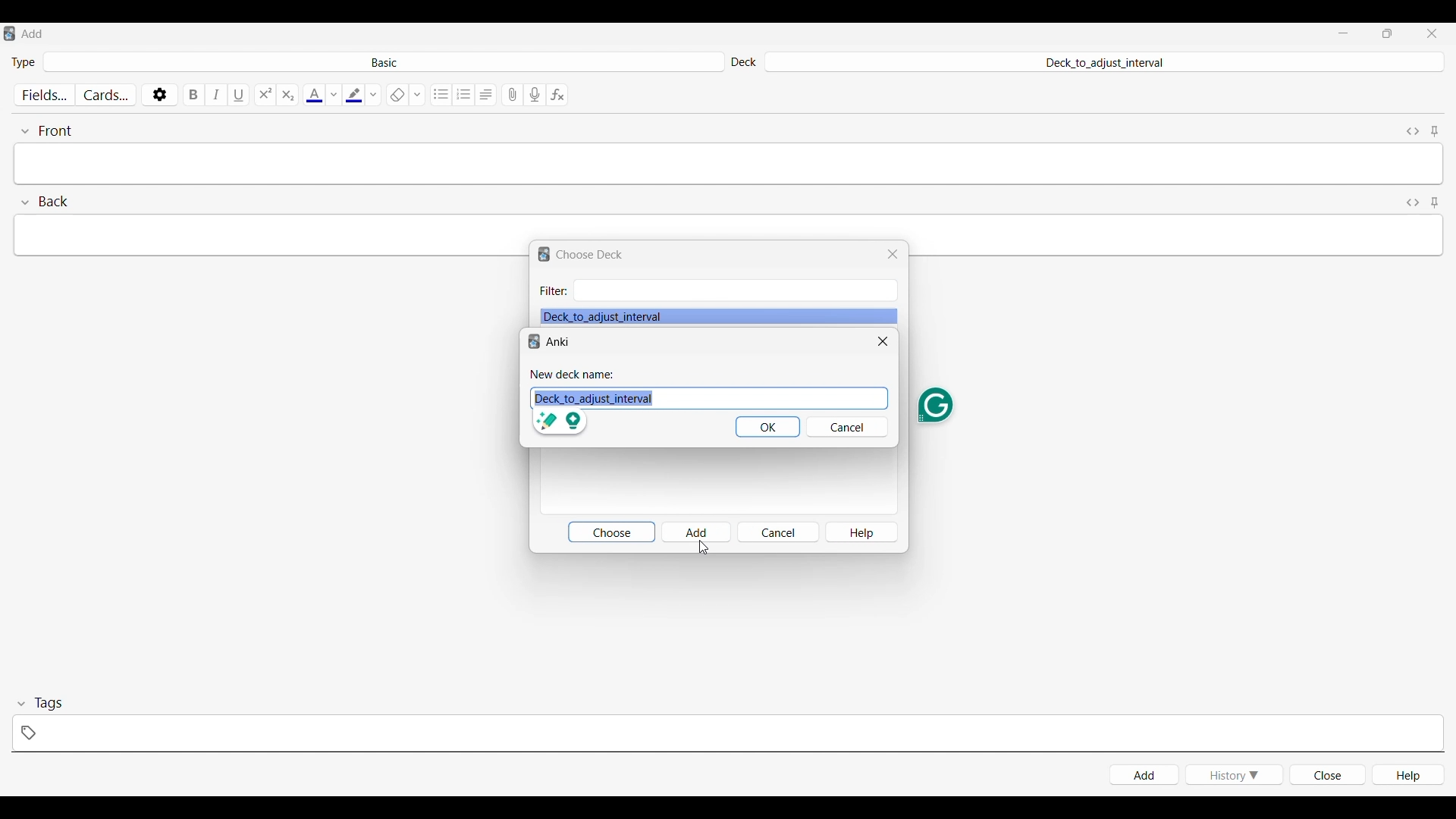 This screenshot has width=1456, height=819. What do you see at coordinates (573, 375) in the screenshot?
I see `Indicates input for new deck name` at bounding box center [573, 375].